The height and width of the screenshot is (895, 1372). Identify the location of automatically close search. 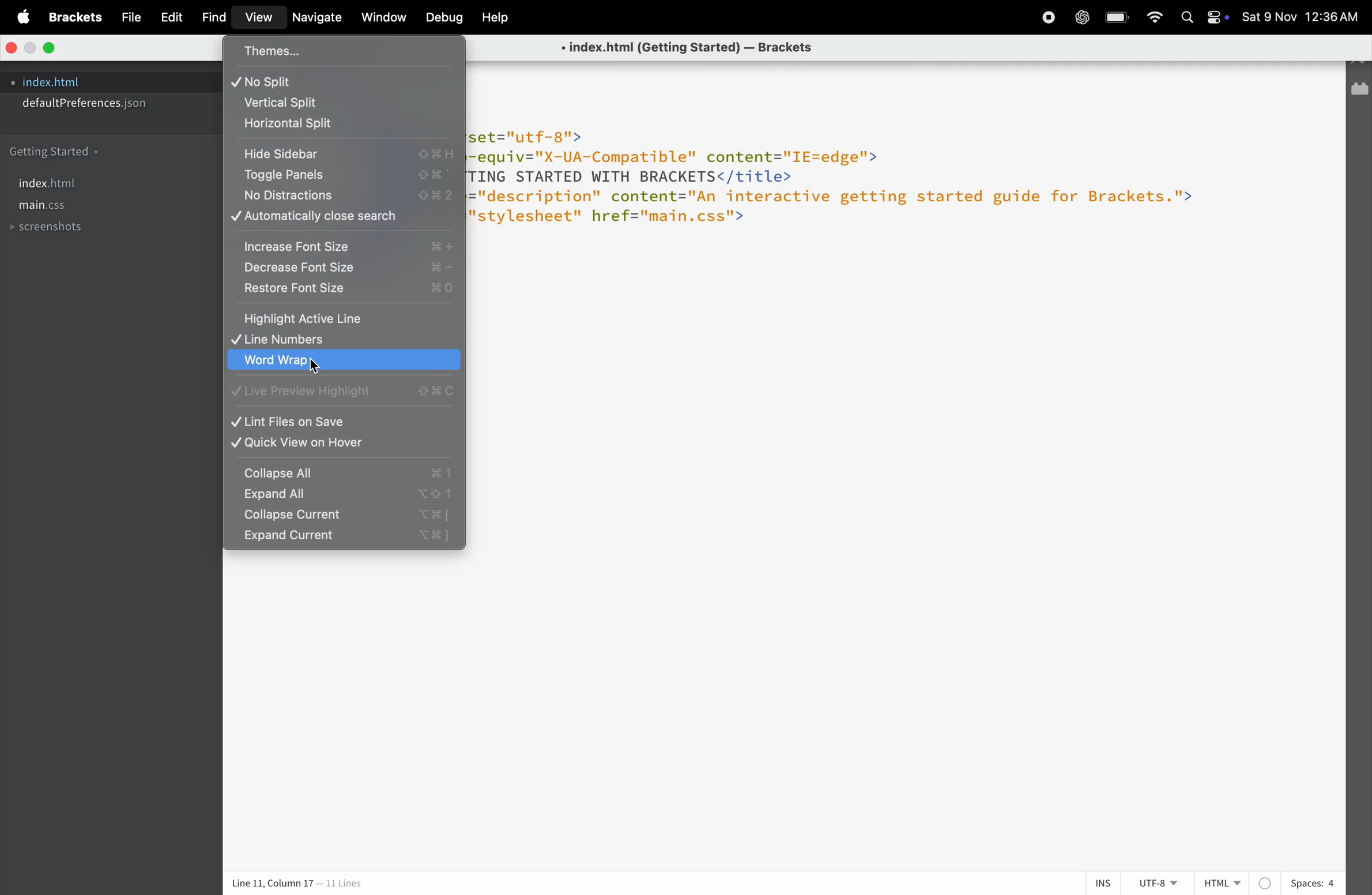
(344, 220).